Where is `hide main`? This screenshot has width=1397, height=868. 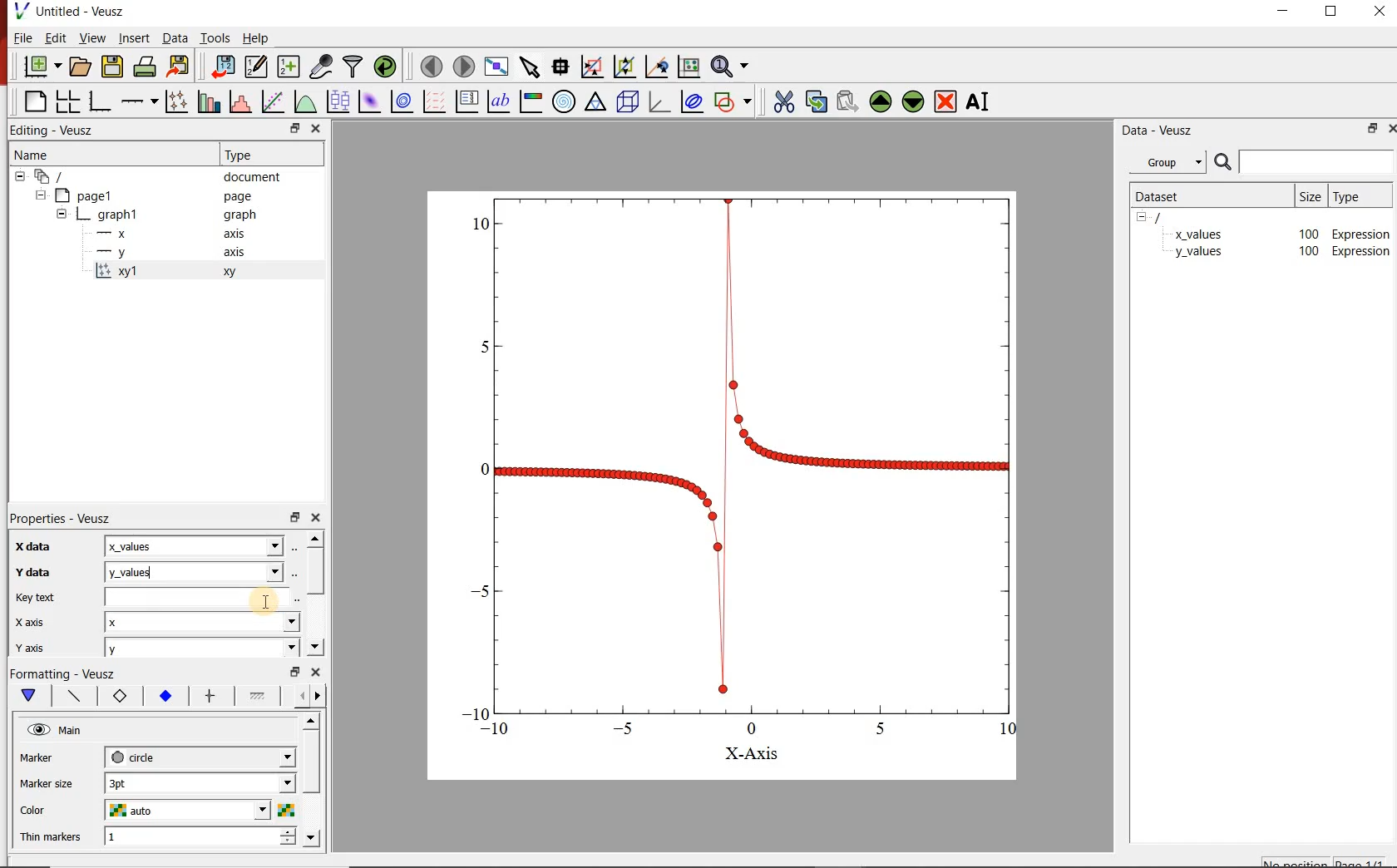 hide main is located at coordinates (57, 730).